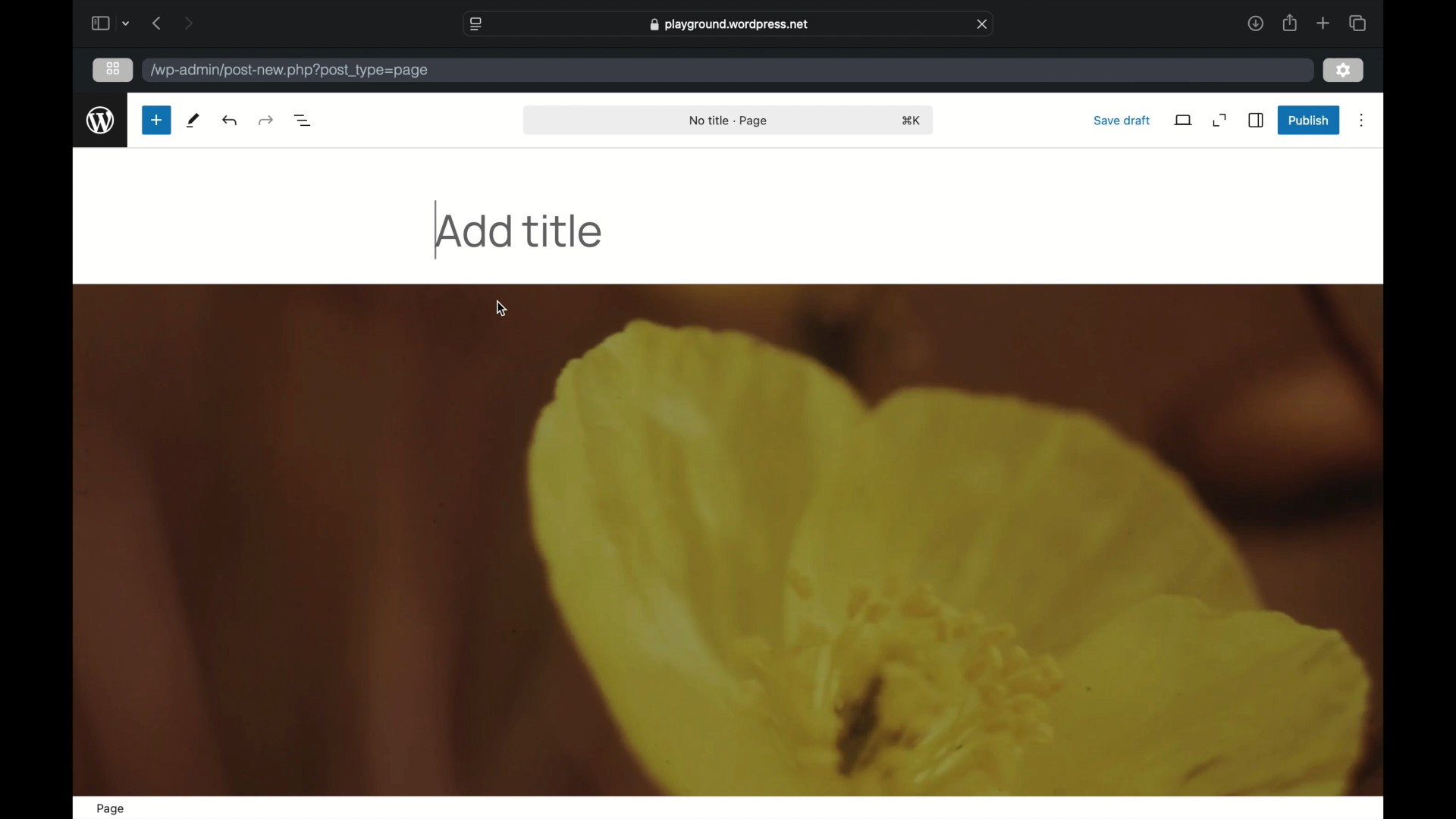 The image size is (1456, 819). Describe the element at coordinates (113, 809) in the screenshot. I see `page` at that location.